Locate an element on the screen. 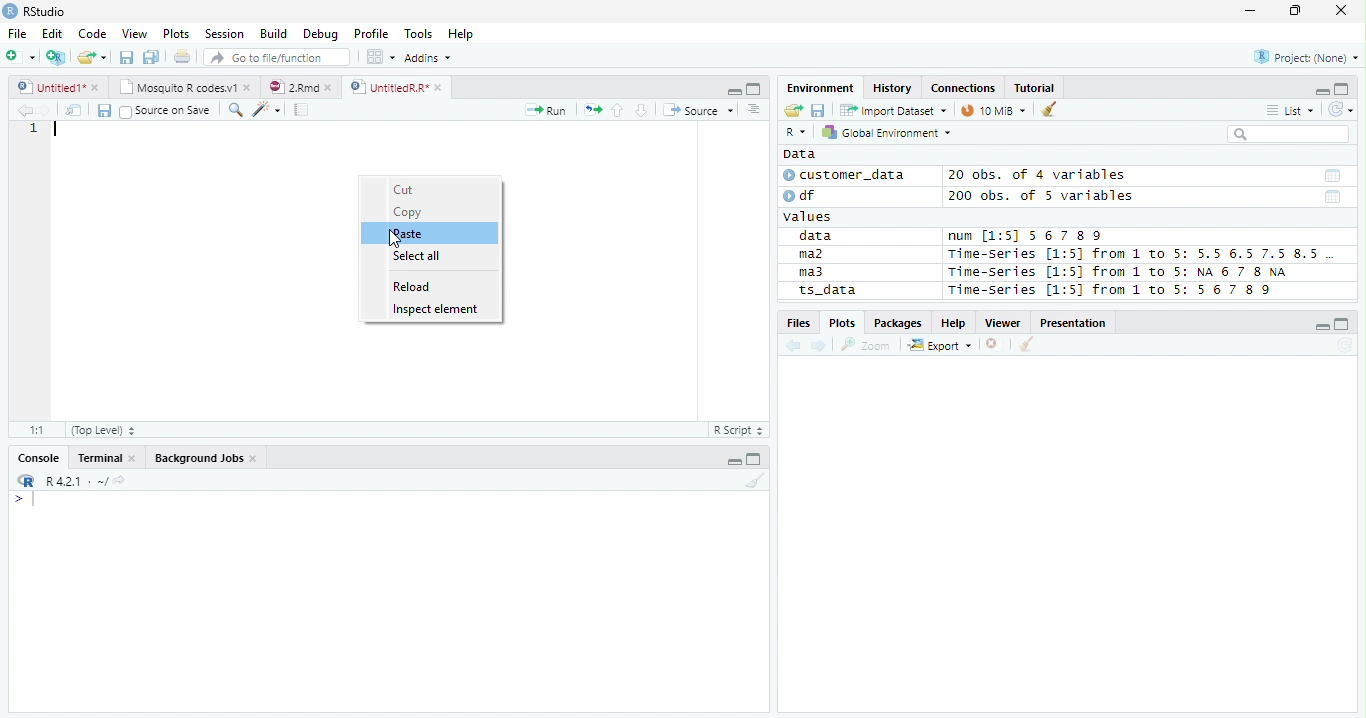 Image resolution: width=1366 pixels, height=718 pixels. Clean is located at coordinates (1051, 108).